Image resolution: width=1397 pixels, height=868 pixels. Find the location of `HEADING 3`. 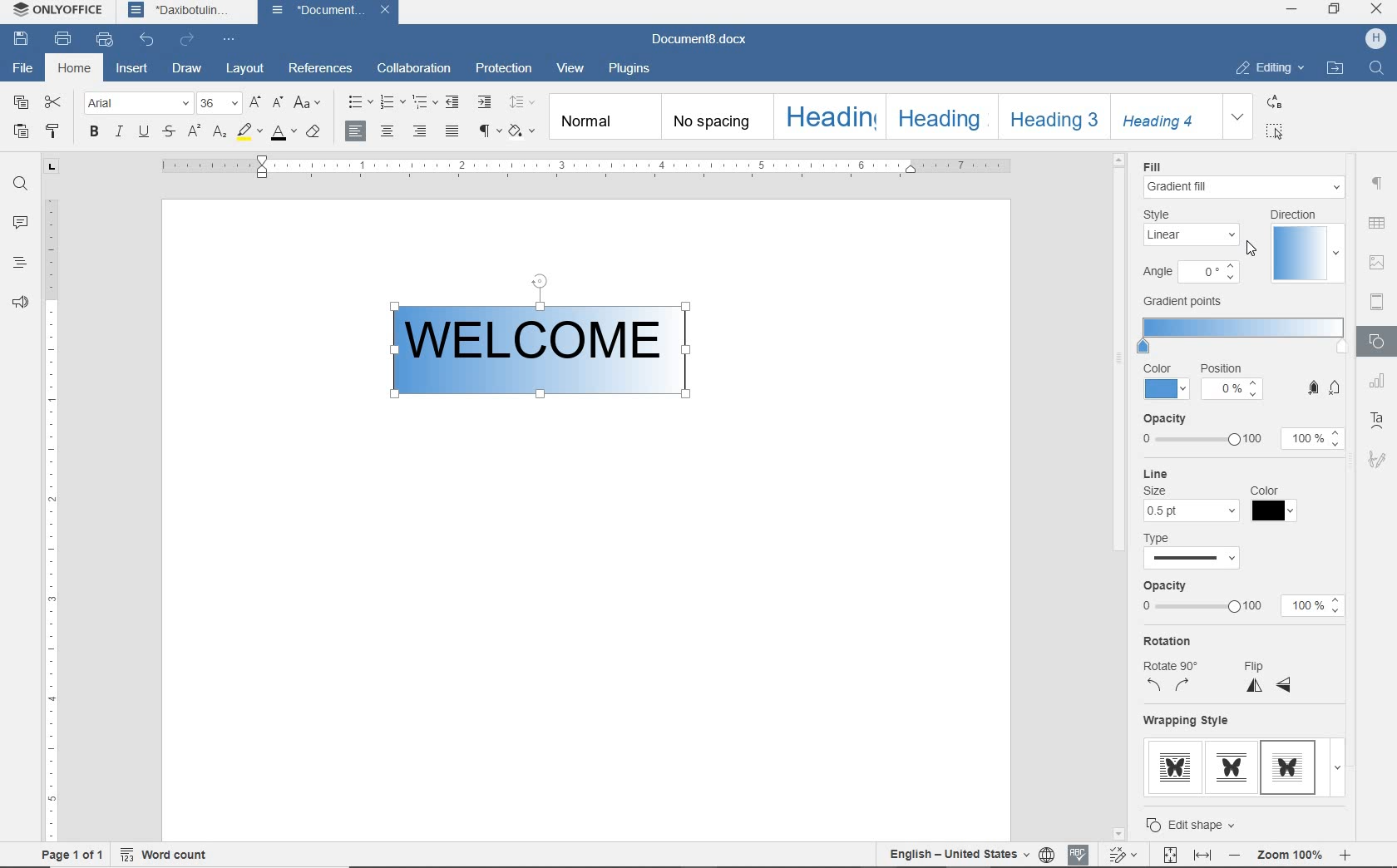

HEADING 3 is located at coordinates (1050, 116).